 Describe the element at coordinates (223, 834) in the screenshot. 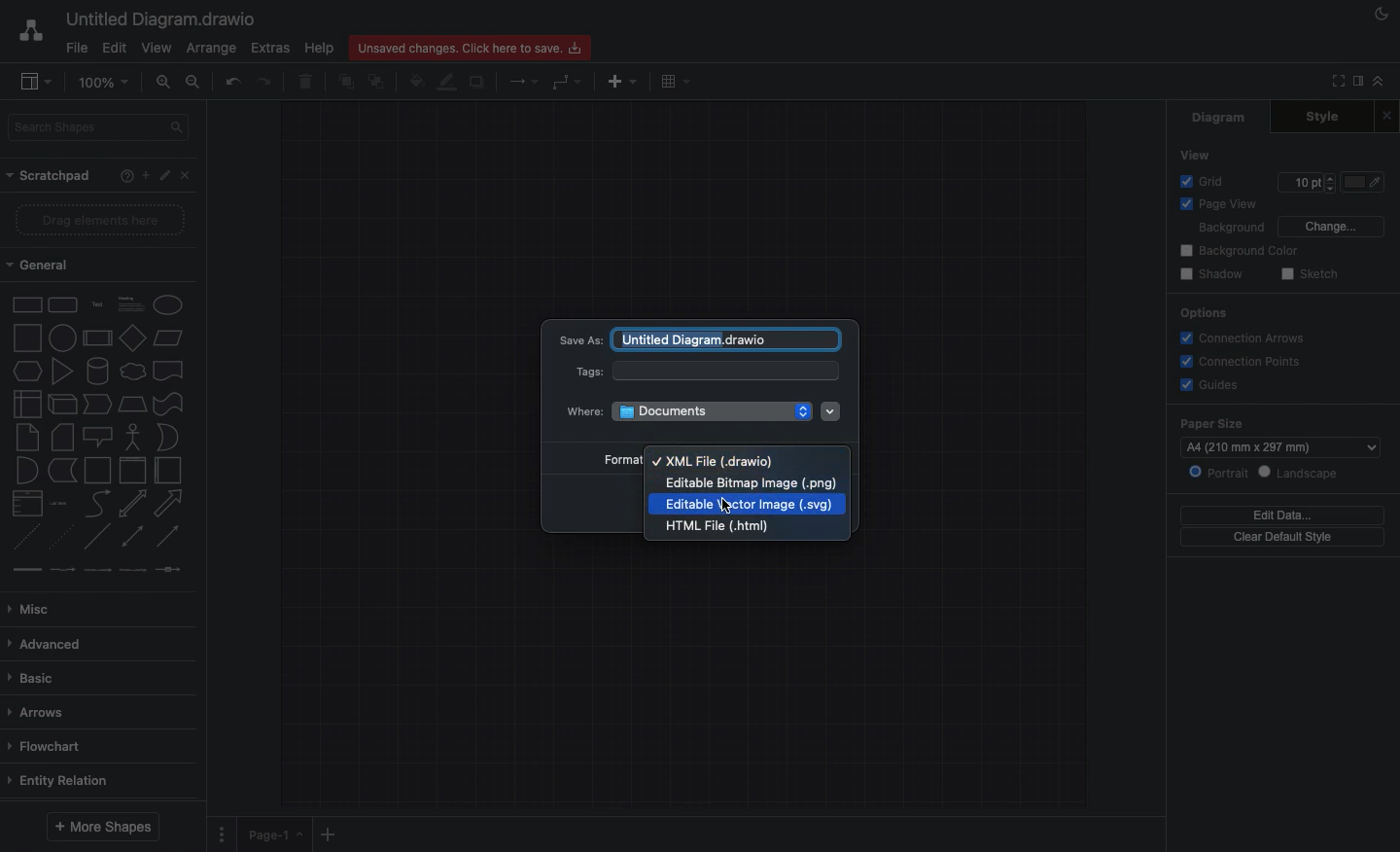

I see `Options` at that location.